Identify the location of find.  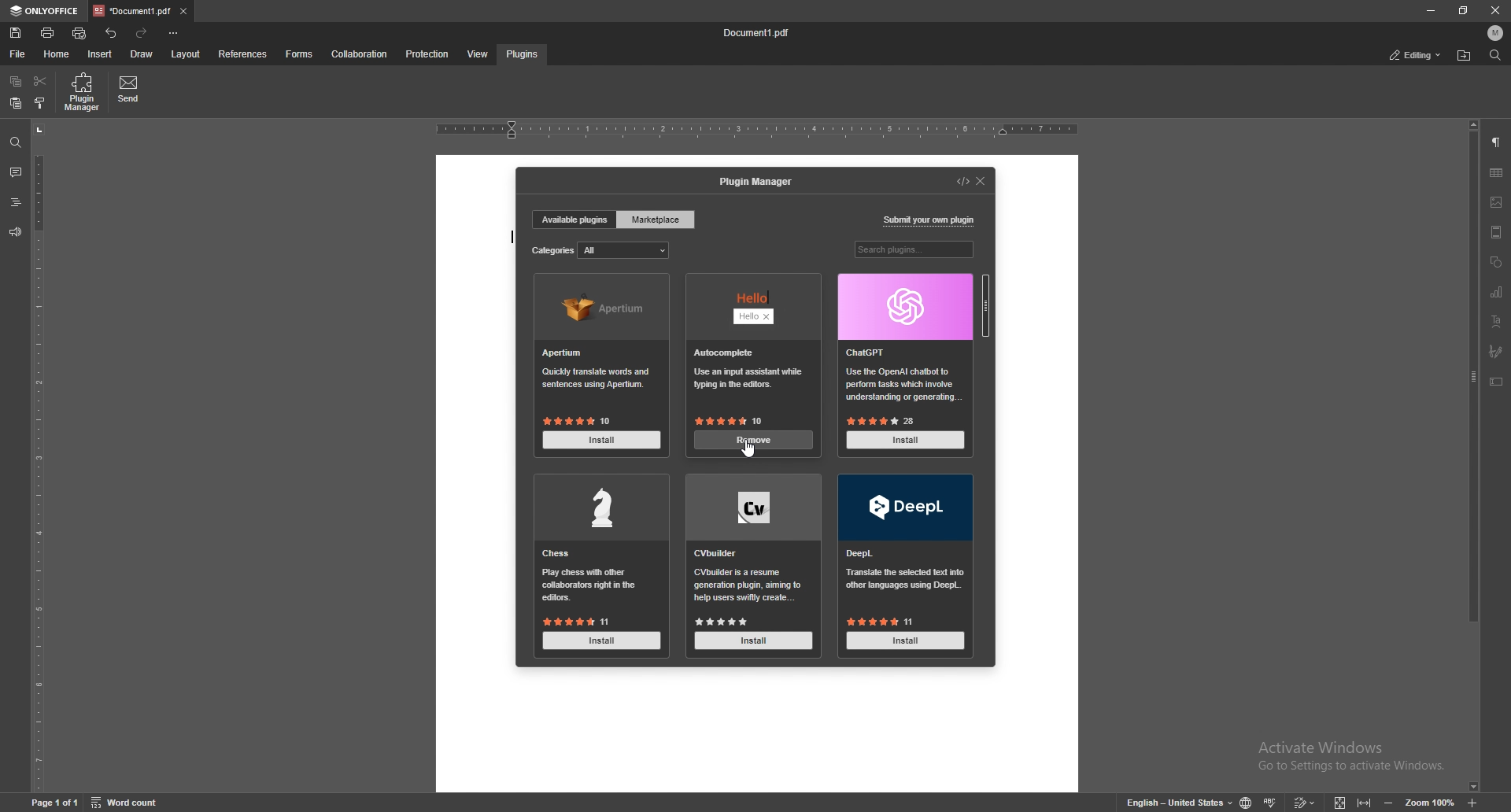
(16, 143).